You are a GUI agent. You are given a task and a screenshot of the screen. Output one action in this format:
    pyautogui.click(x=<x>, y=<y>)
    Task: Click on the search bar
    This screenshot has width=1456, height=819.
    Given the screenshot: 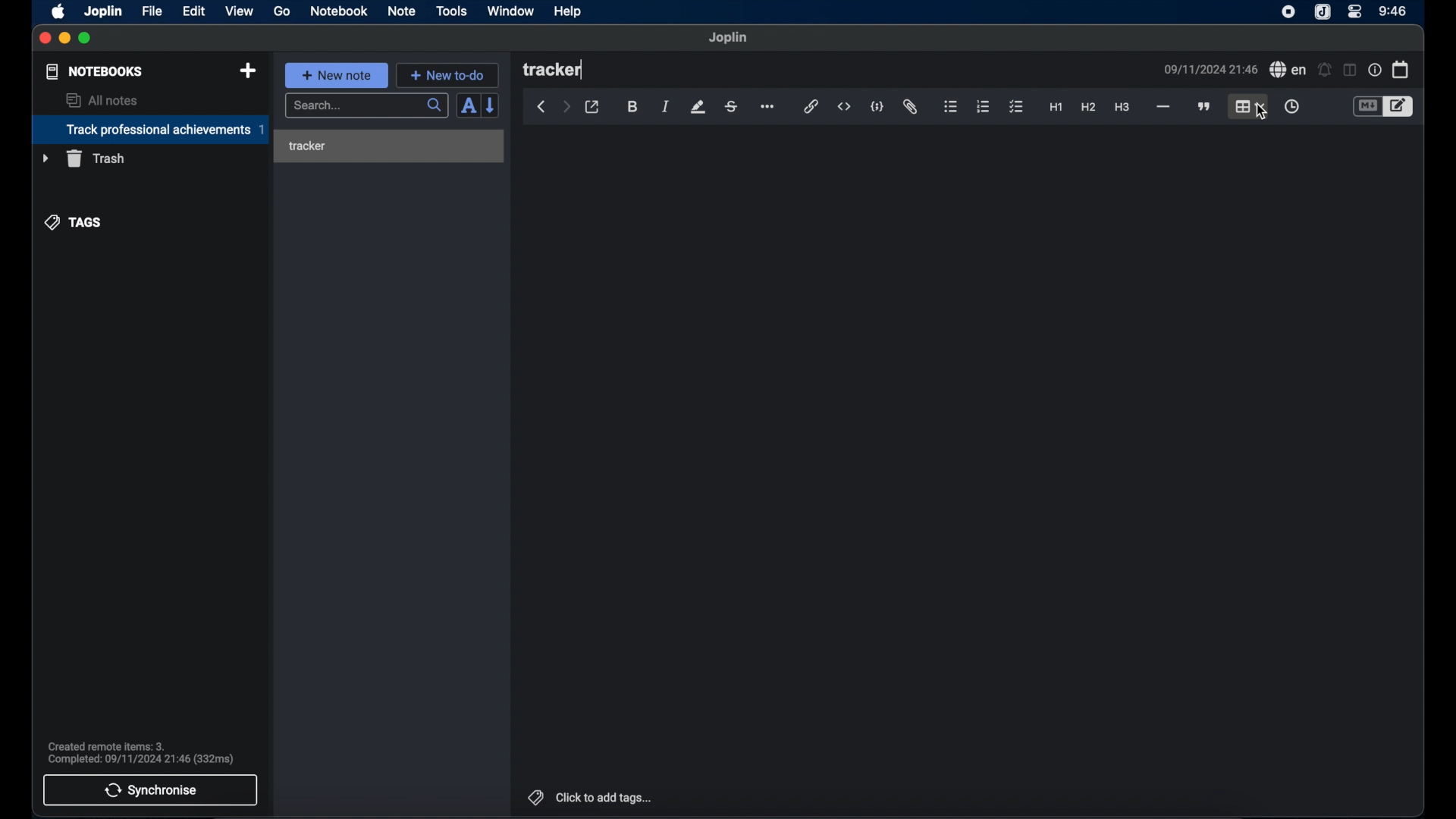 What is the action you would take?
    pyautogui.click(x=366, y=106)
    